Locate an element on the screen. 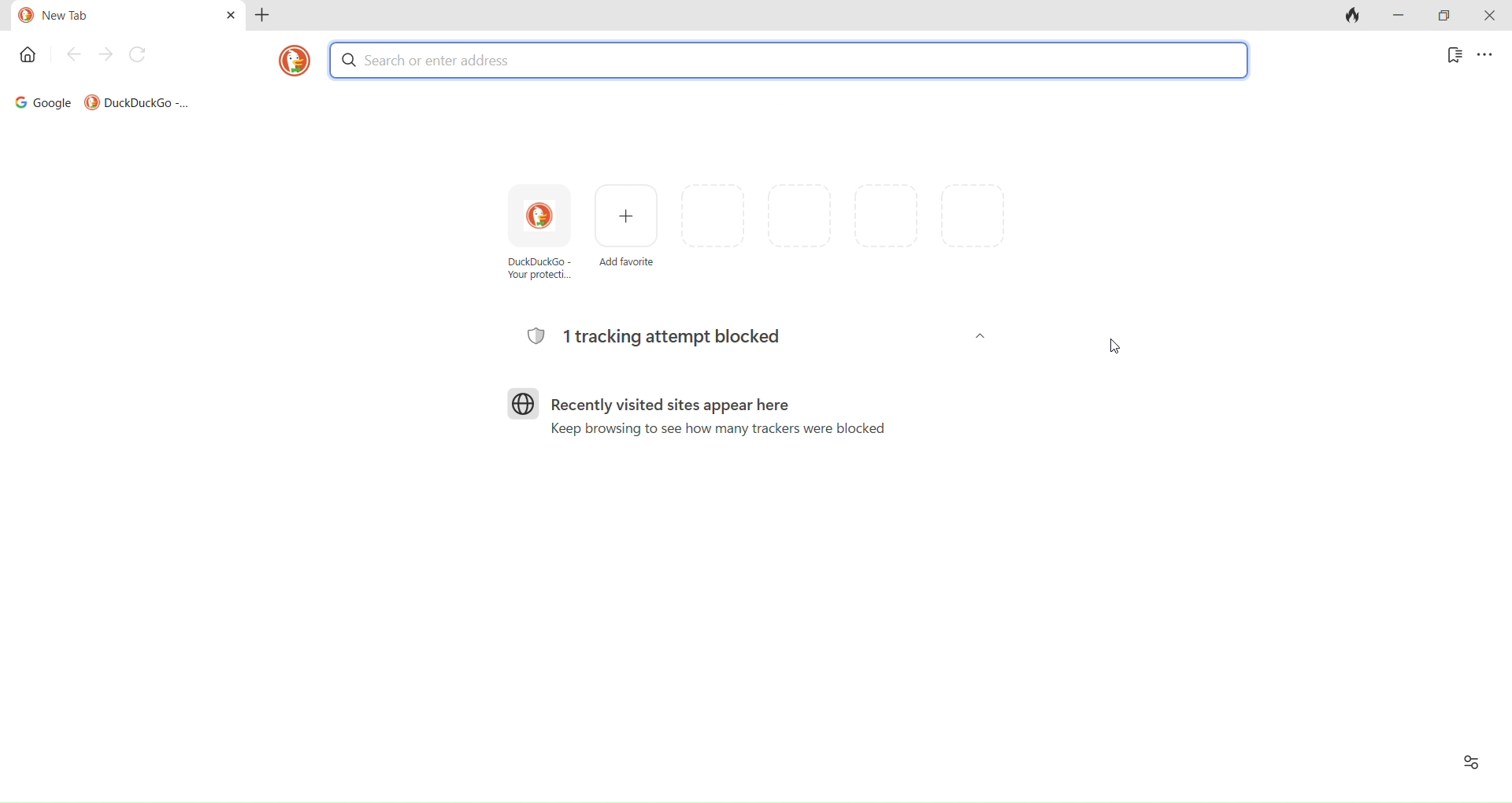 The image size is (1512, 803). menu is located at coordinates (1489, 58).